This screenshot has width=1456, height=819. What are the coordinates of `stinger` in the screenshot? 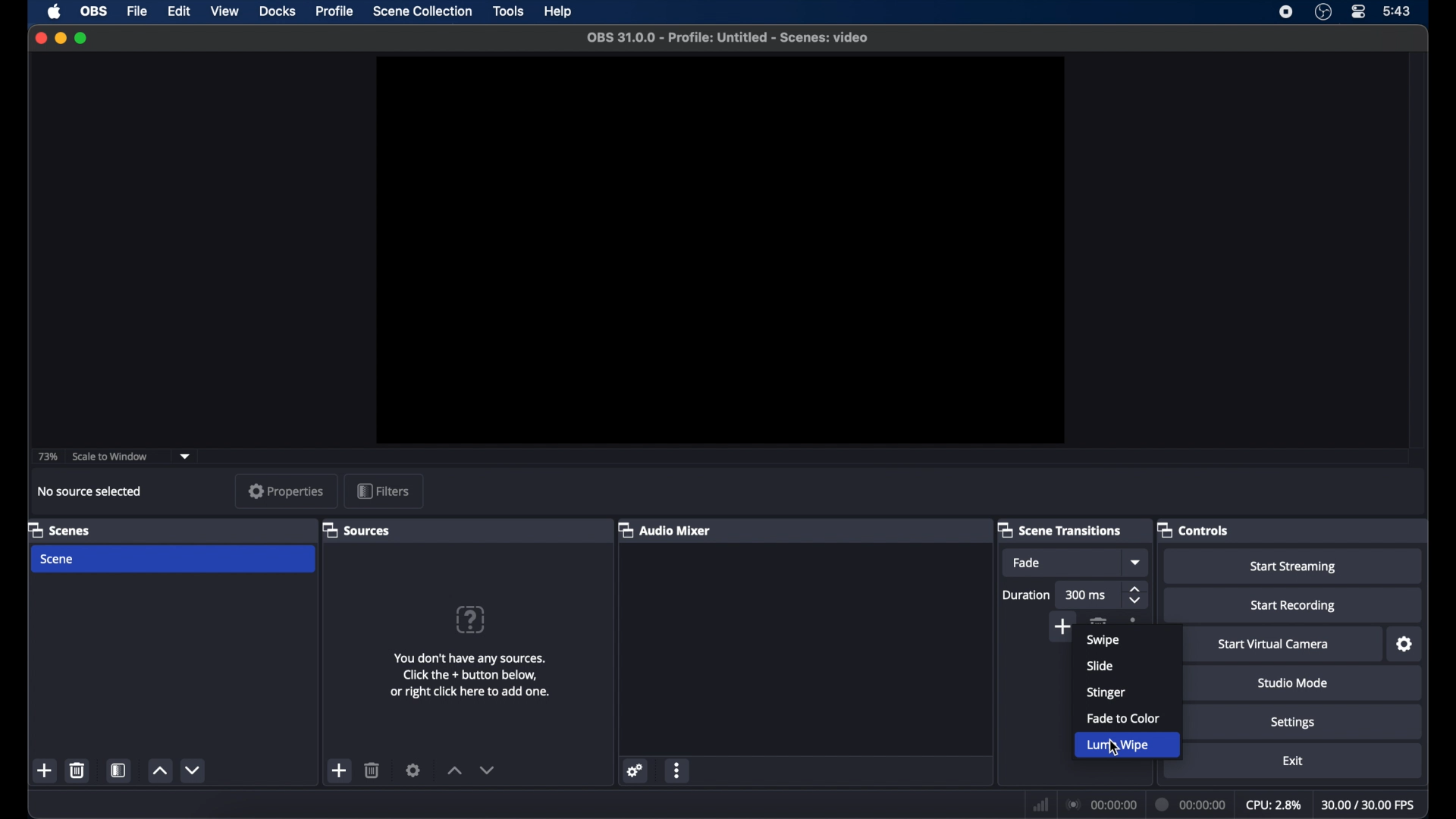 It's located at (1105, 692).